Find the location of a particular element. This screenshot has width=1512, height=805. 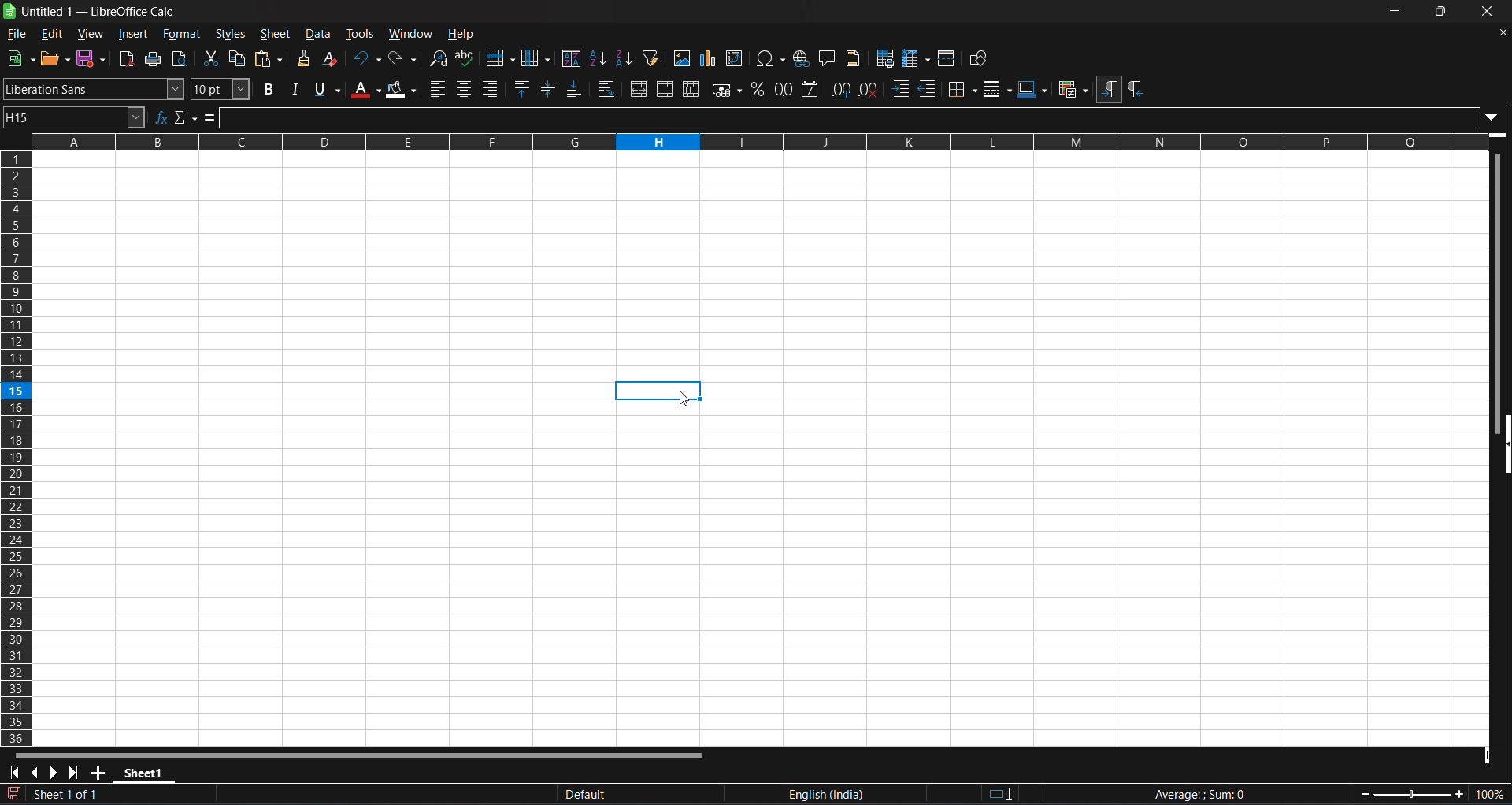

sort ascending is located at coordinates (598, 60).